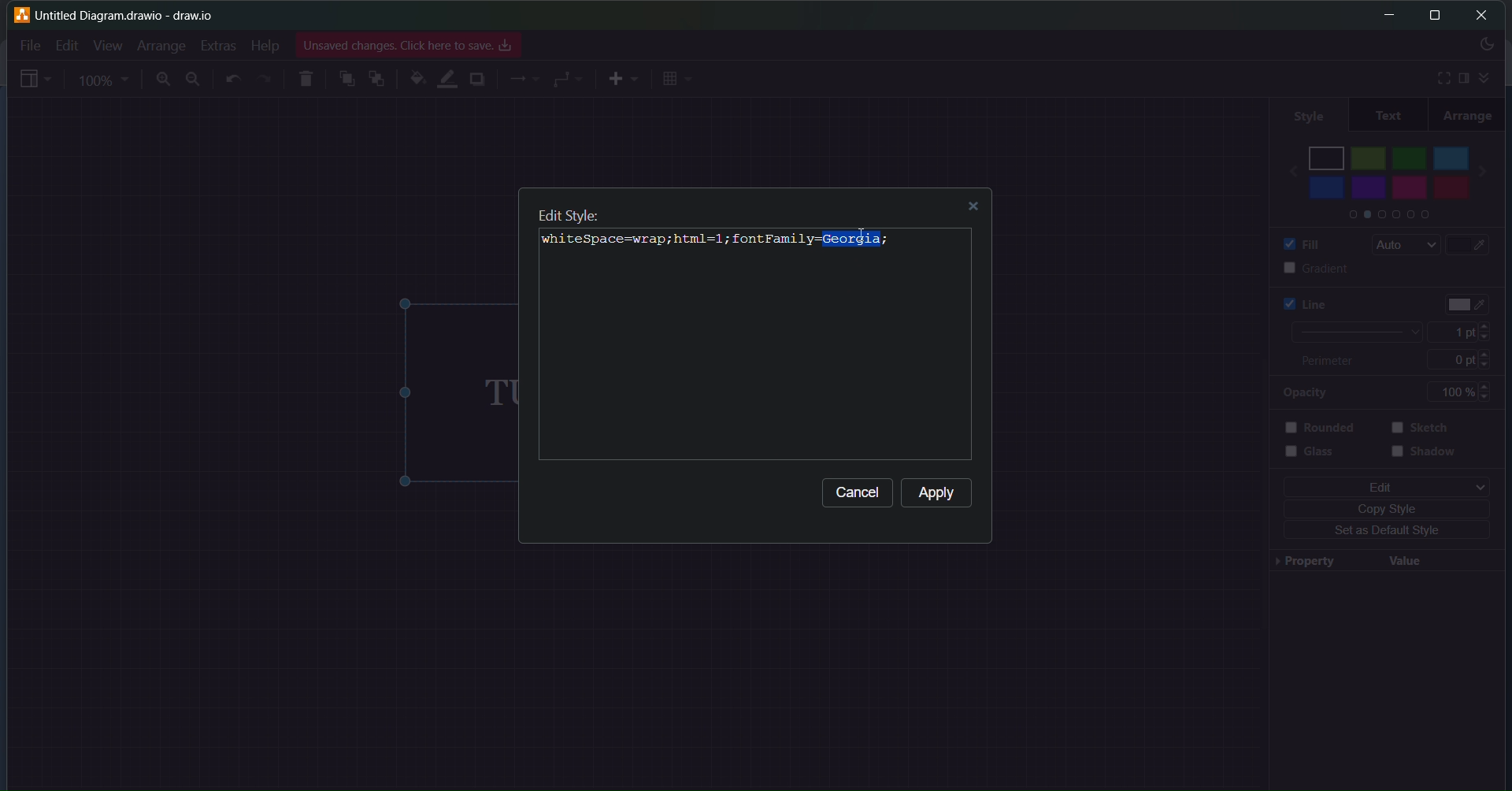  Describe the element at coordinates (1483, 15) in the screenshot. I see `close` at that location.